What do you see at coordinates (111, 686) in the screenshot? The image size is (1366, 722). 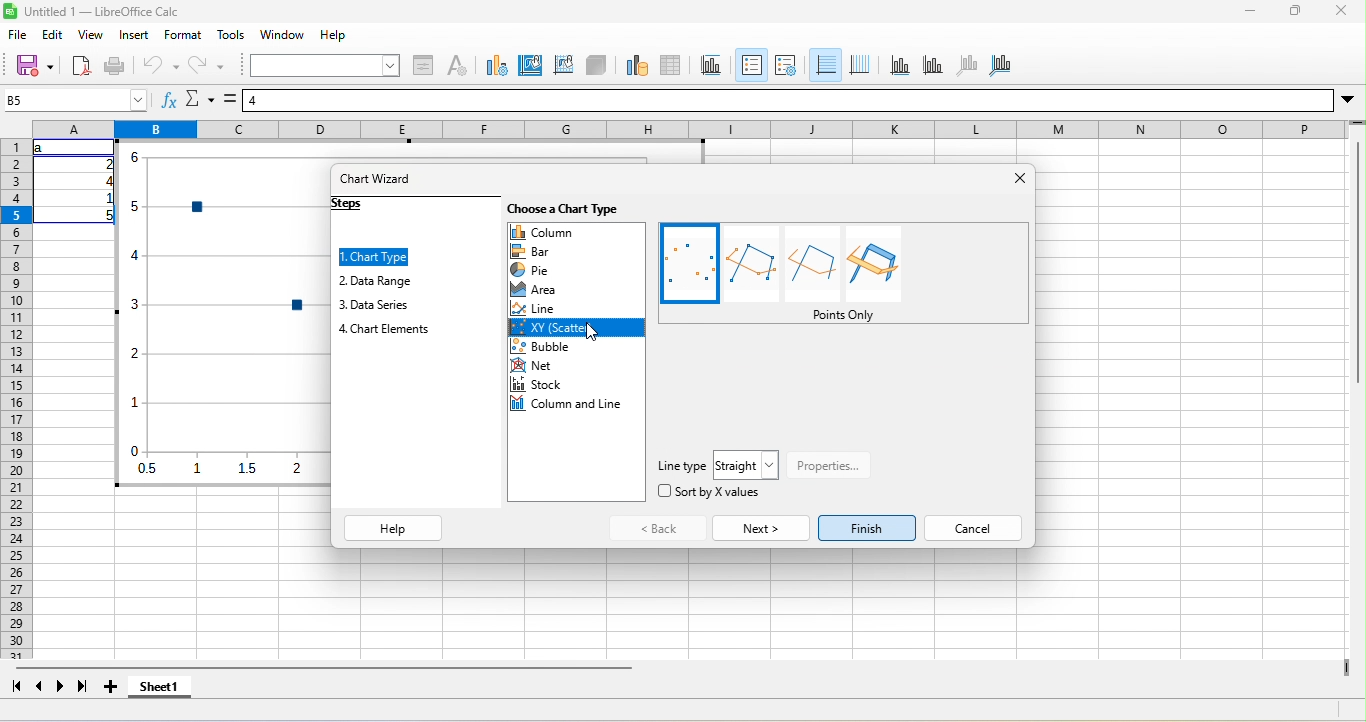 I see `add sheet` at bounding box center [111, 686].